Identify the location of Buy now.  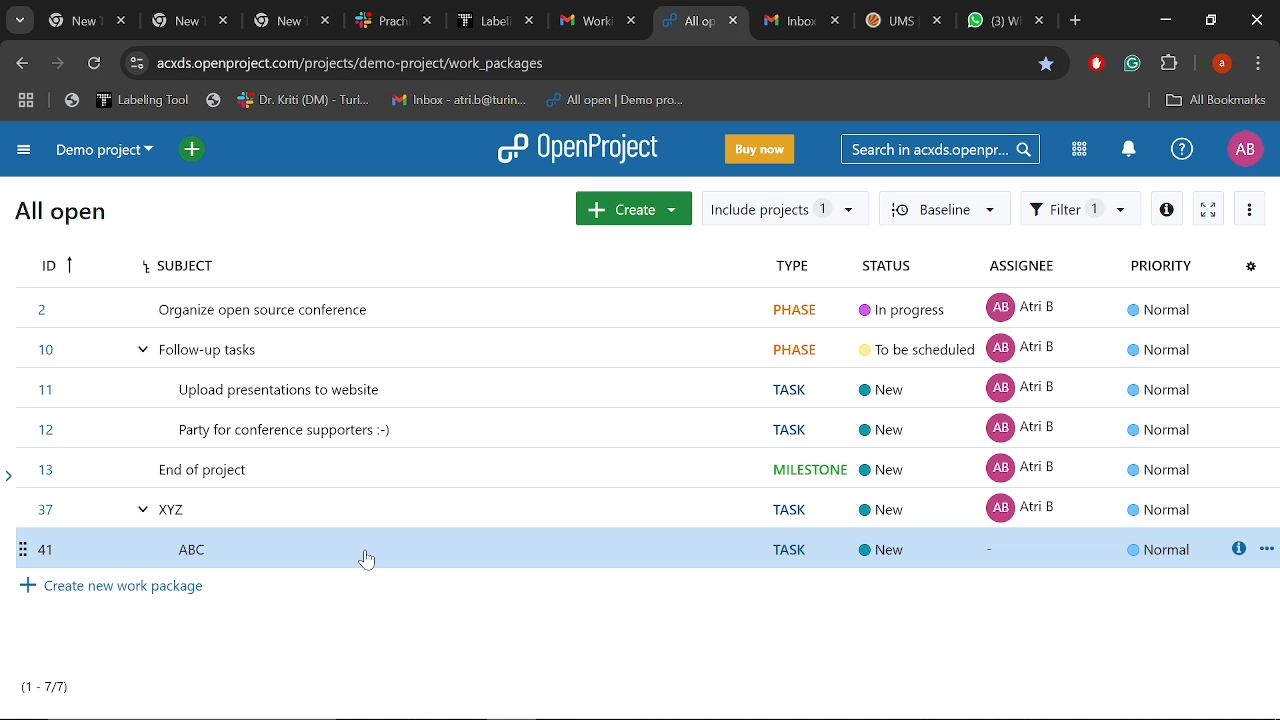
(762, 150).